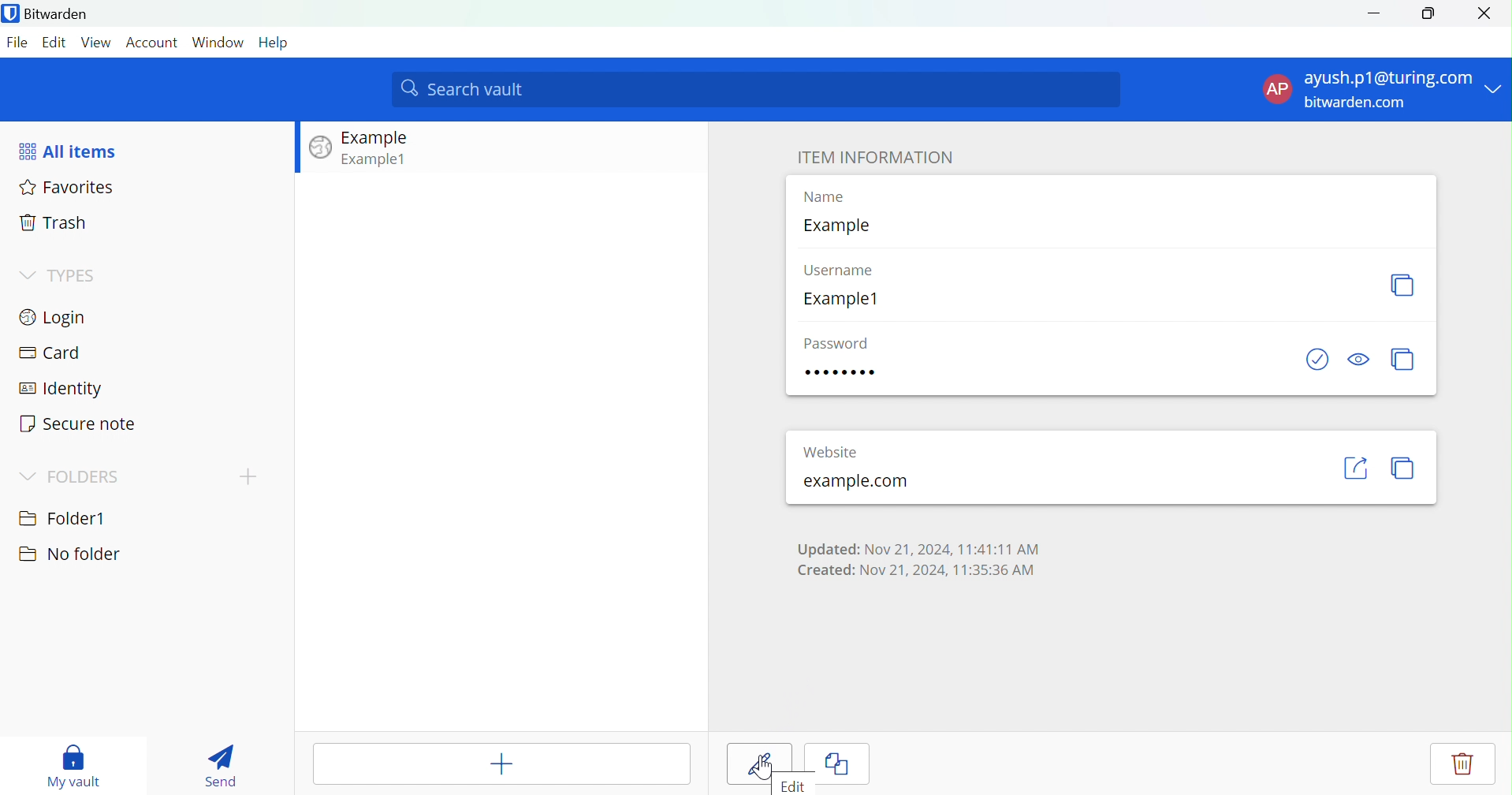 Image resolution: width=1512 pixels, height=795 pixels. Describe the element at coordinates (1402, 467) in the screenshot. I see `copy` at that location.